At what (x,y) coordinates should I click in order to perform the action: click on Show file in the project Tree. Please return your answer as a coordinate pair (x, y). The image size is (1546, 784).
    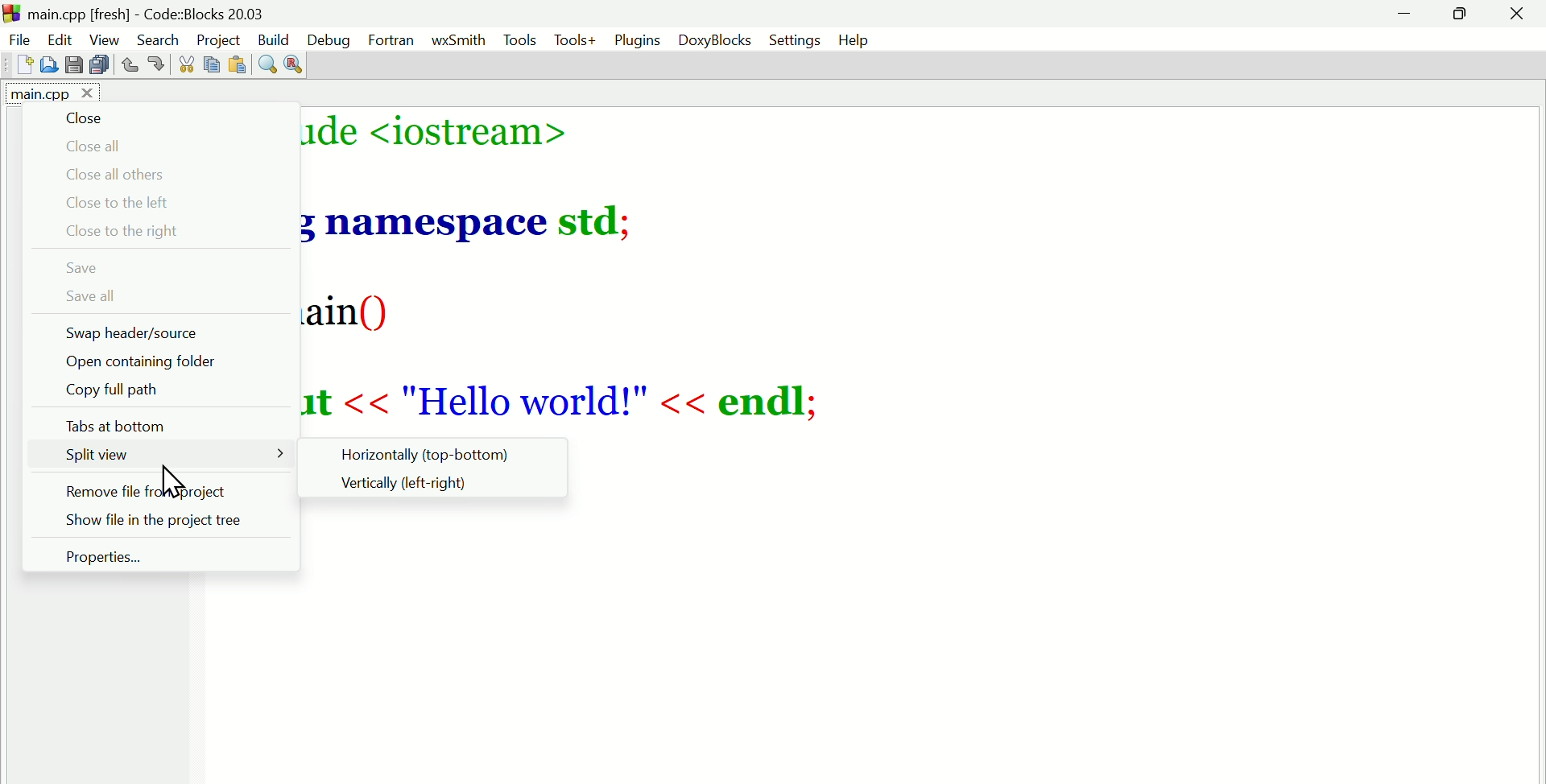
    Looking at the image, I should click on (159, 524).